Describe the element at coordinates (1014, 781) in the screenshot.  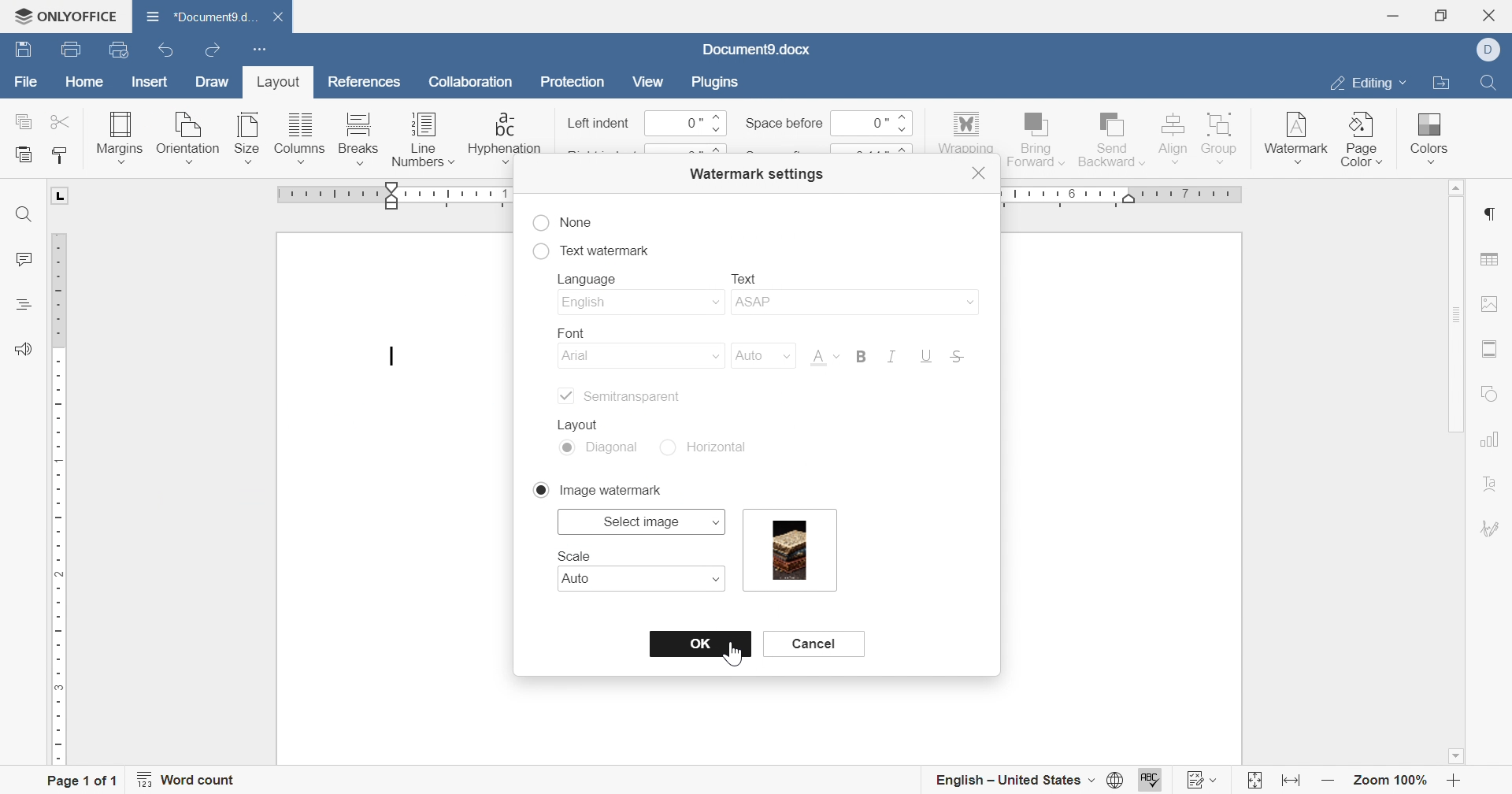
I see `english - united states` at that location.